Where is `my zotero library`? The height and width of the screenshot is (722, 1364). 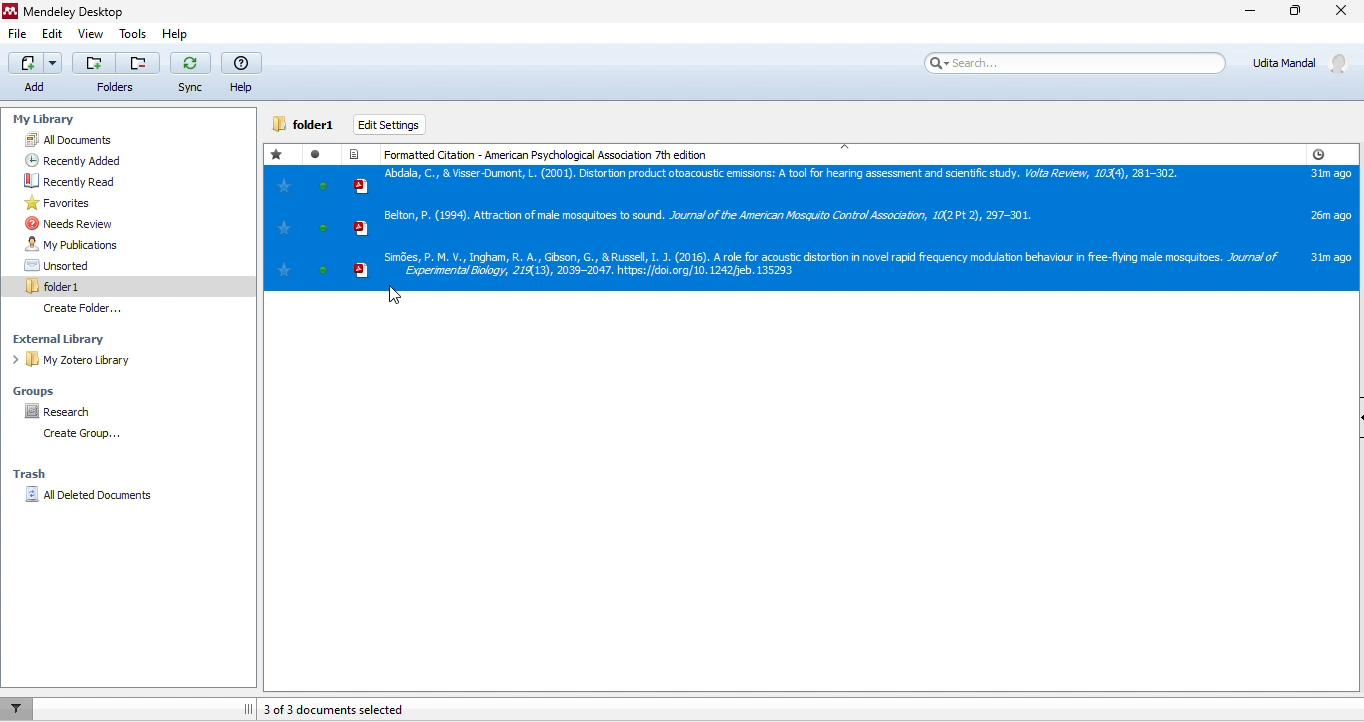
my zotero library is located at coordinates (97, 360).